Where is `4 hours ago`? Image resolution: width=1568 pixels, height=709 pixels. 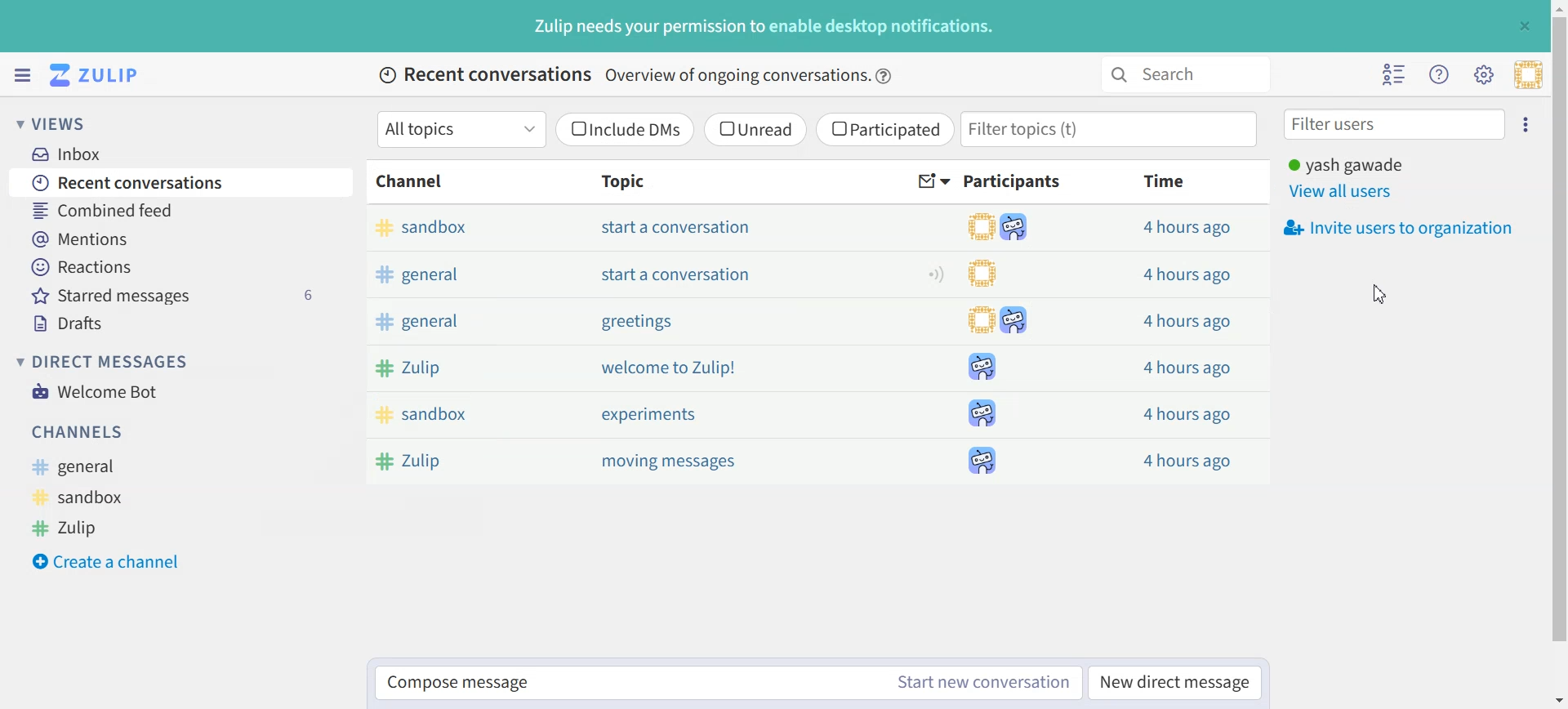
4 hours ago is located at coordinates (1183, 322).